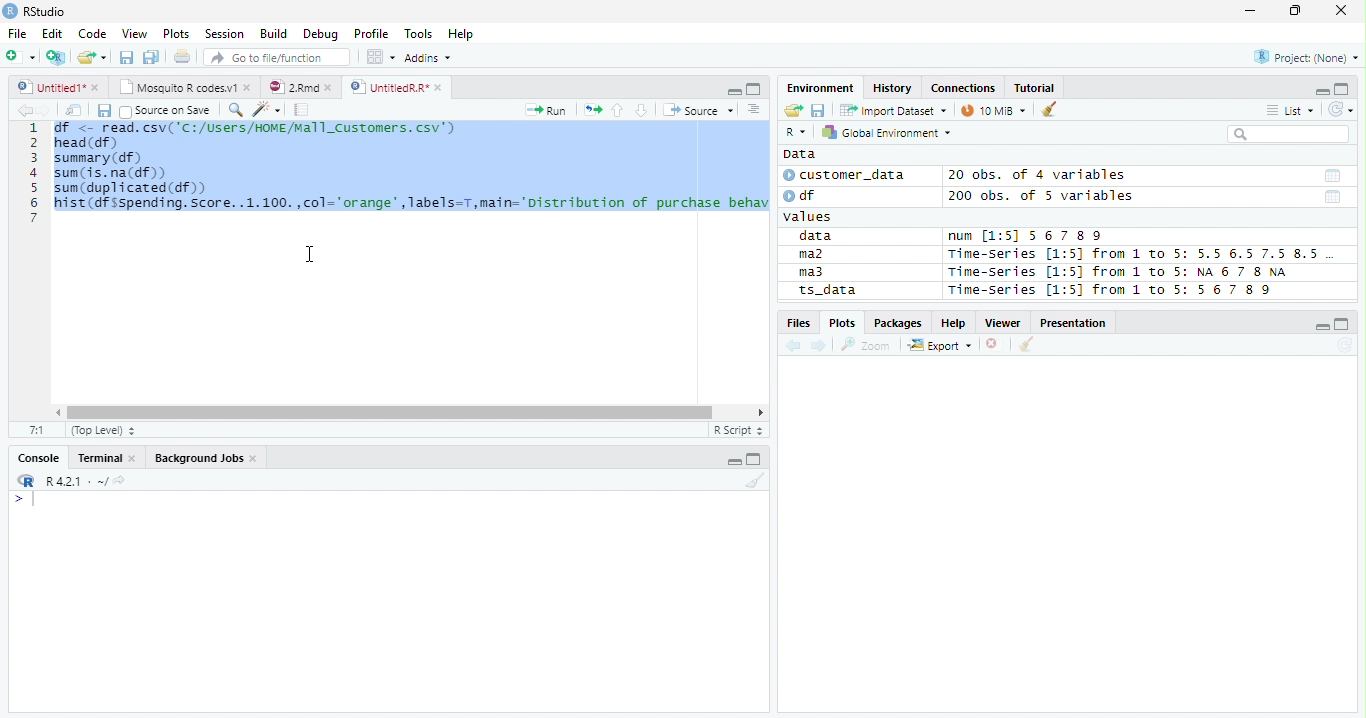  Describe the element at coordinates (548, 111) in the screenshot. I see `Run` at that location.